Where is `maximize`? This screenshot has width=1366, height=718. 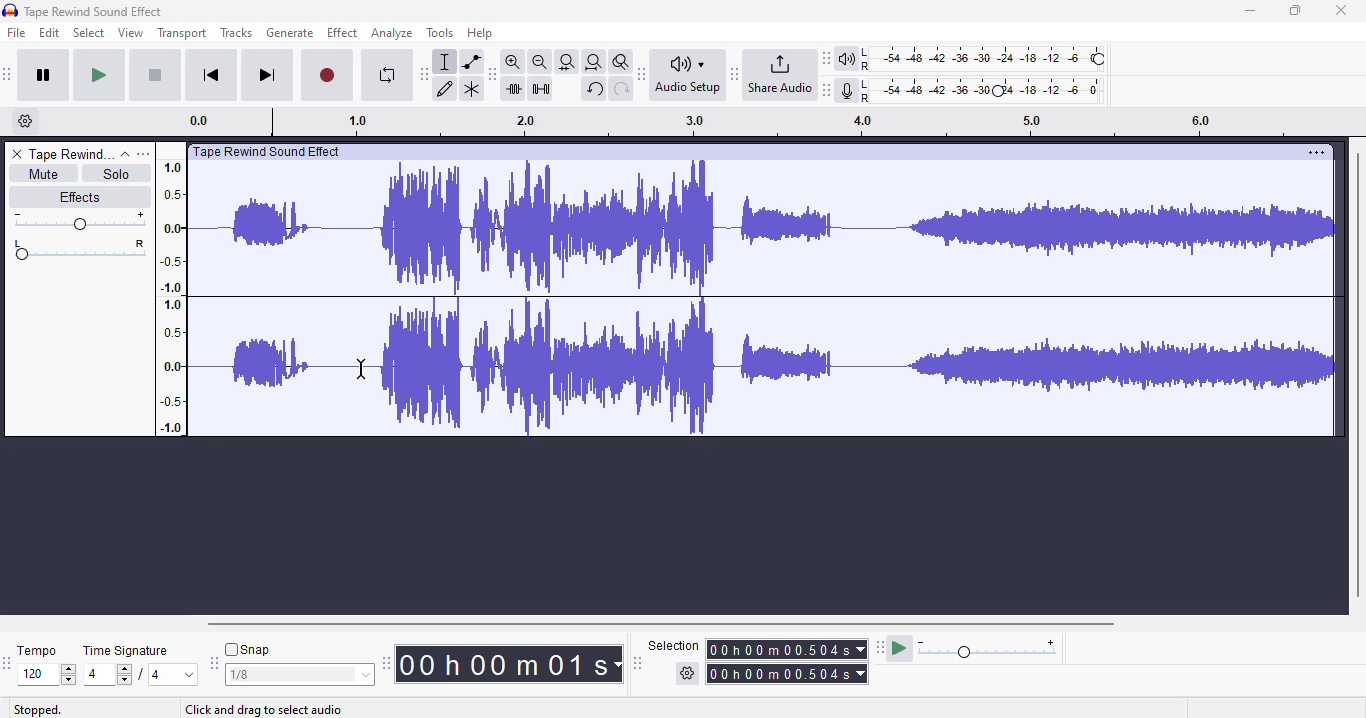
maximize is located at coordinates (1294, 11).